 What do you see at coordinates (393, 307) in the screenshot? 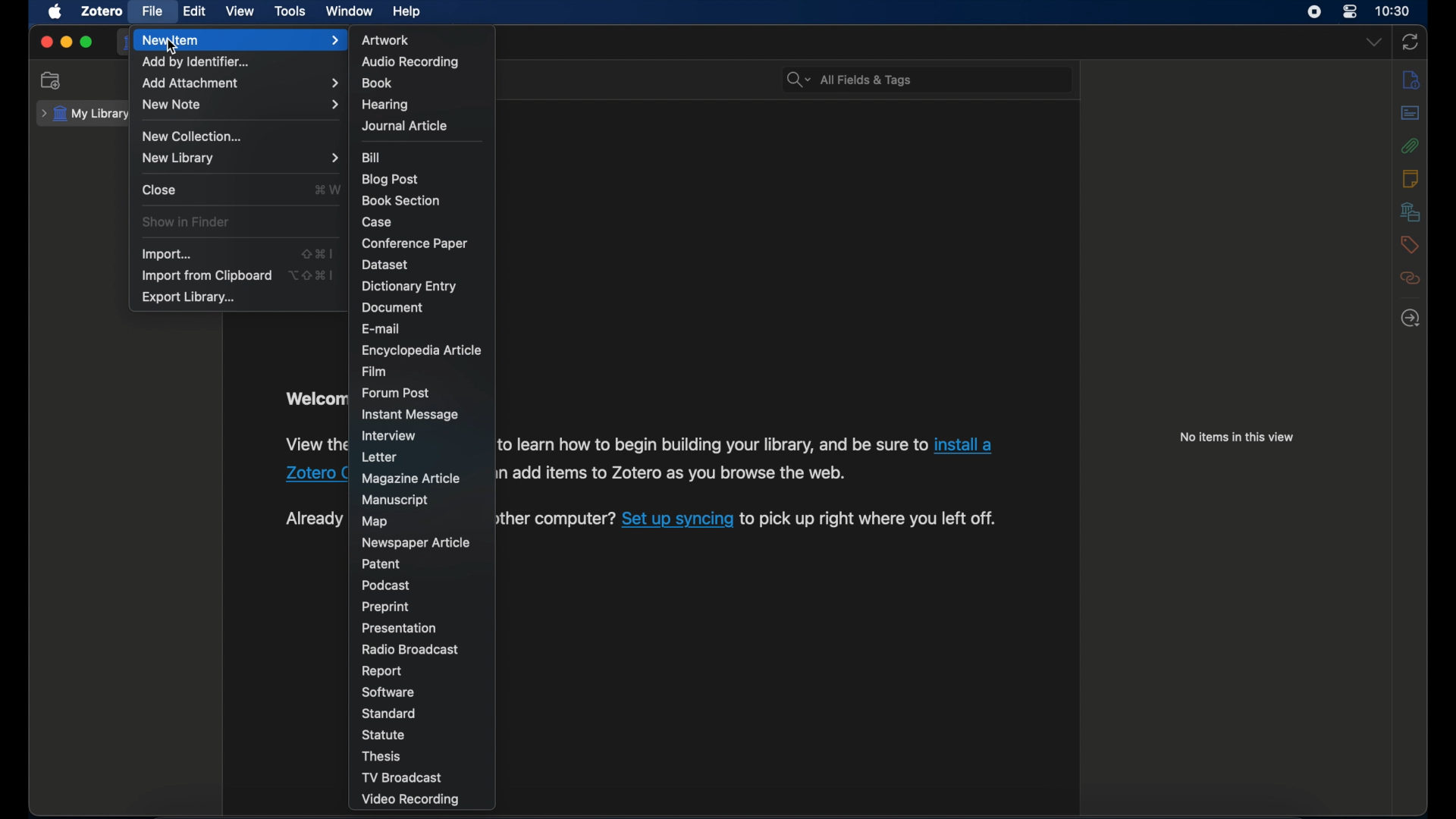
I see `document` at bounding box center [393, 307].